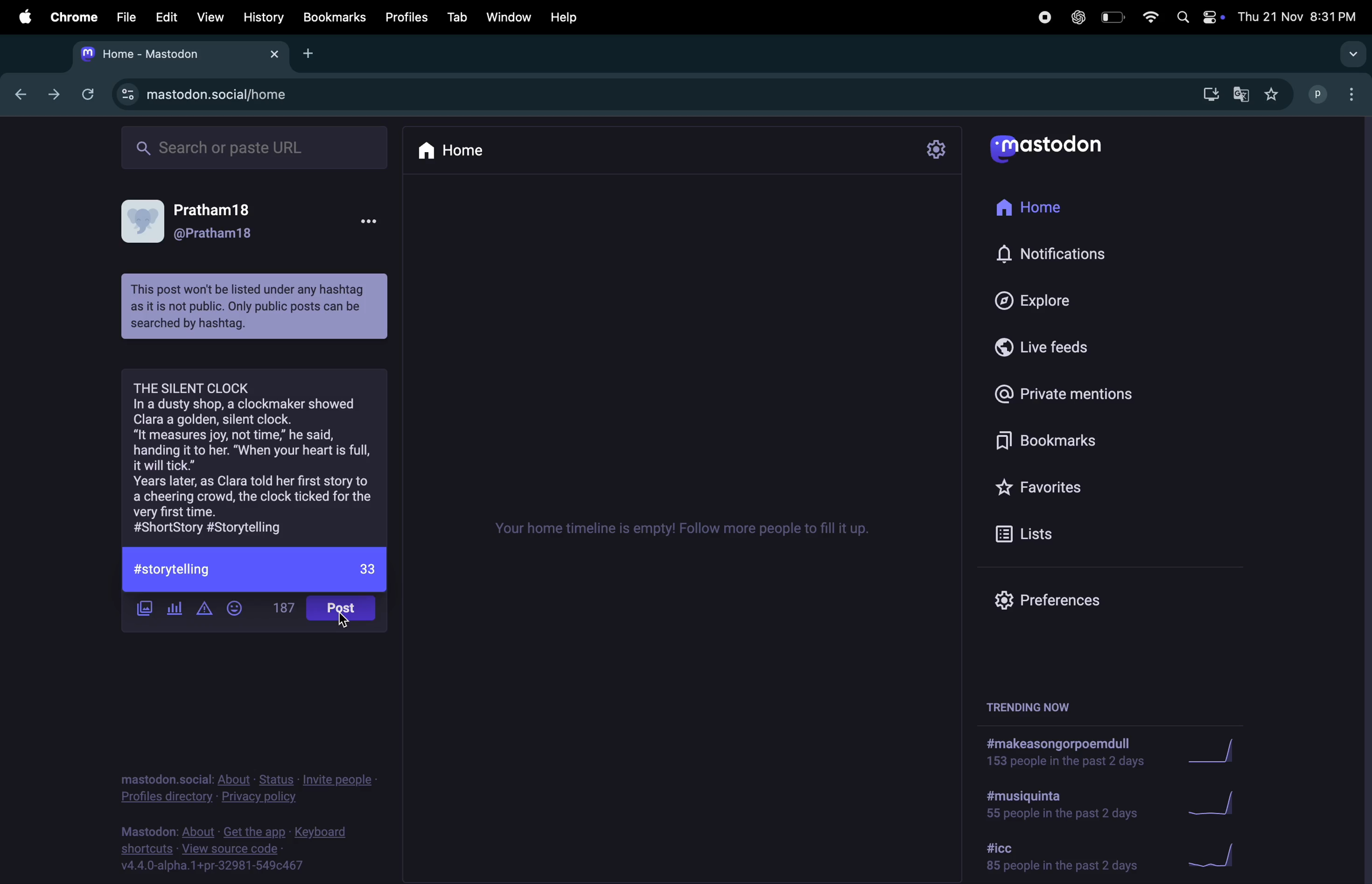 This screenshot has width=1372, height=884. I want to click on translate, so click(1241, 95).